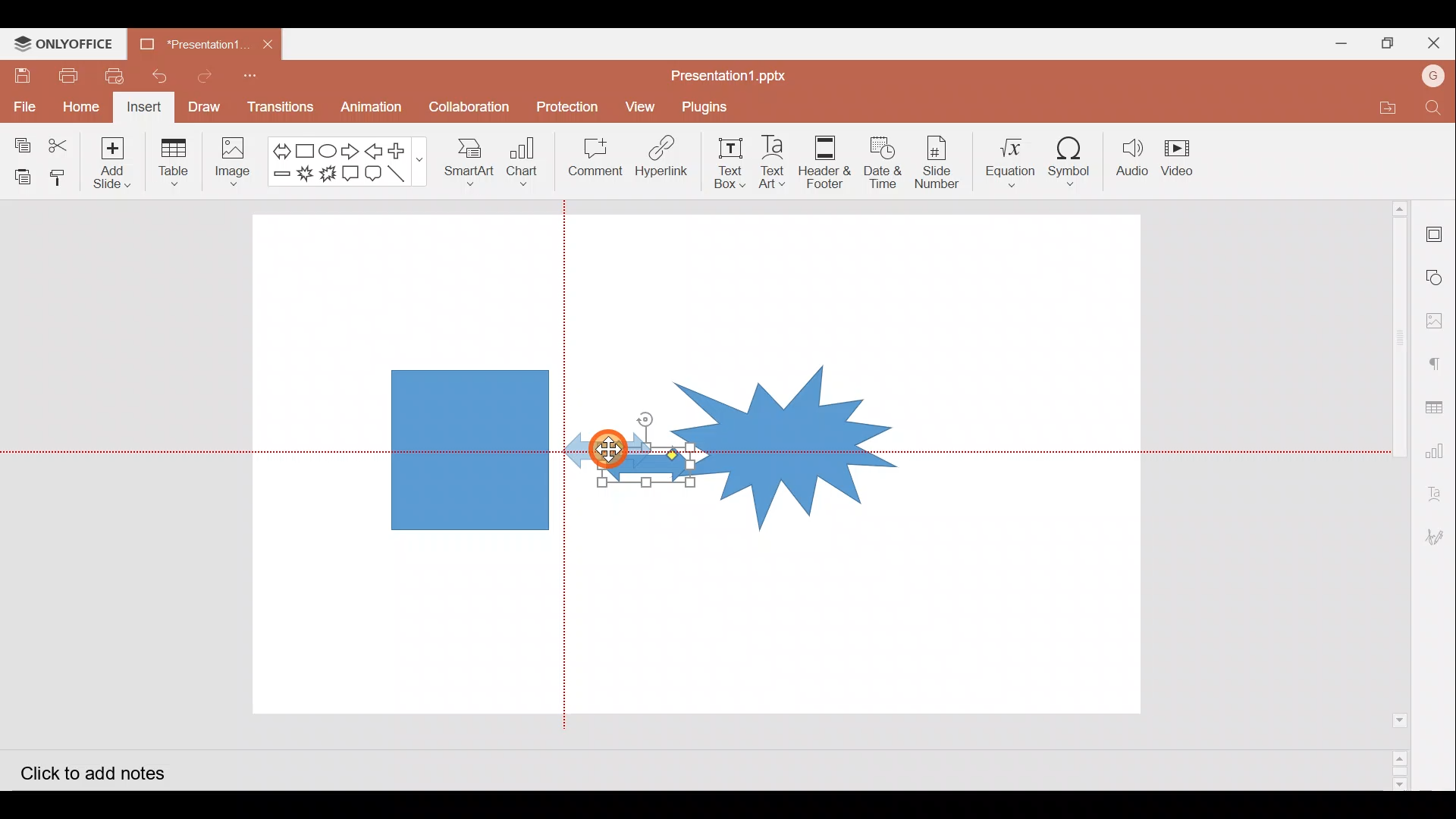 Image resolution: width=1456 pixels, height=819 pixels. Describe the element at coordinates (210, 78) in the screenshot. I see `Redo` at that location.